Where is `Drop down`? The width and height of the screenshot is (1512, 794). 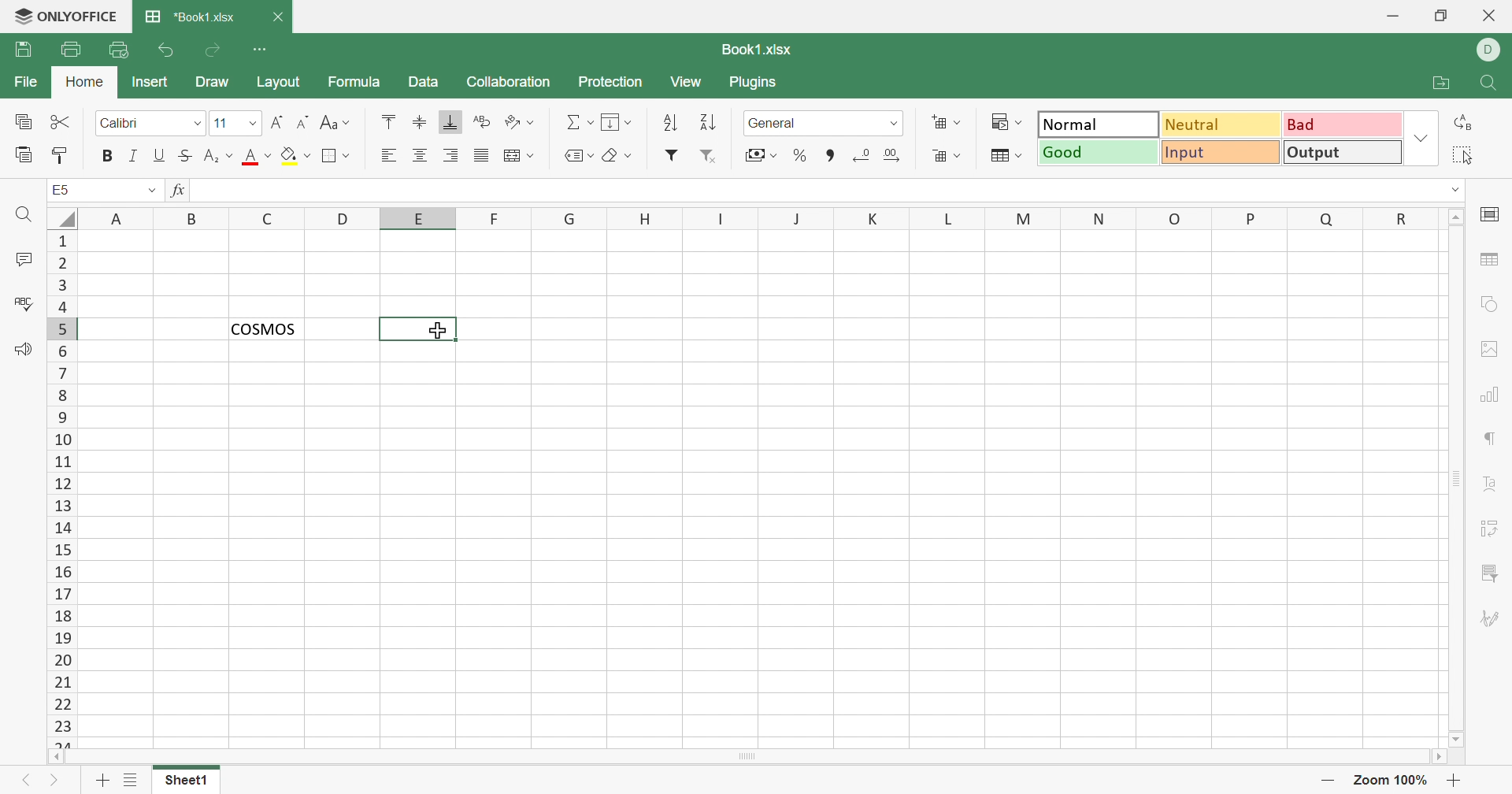
Drop down is located at coordinates (1453, 190).